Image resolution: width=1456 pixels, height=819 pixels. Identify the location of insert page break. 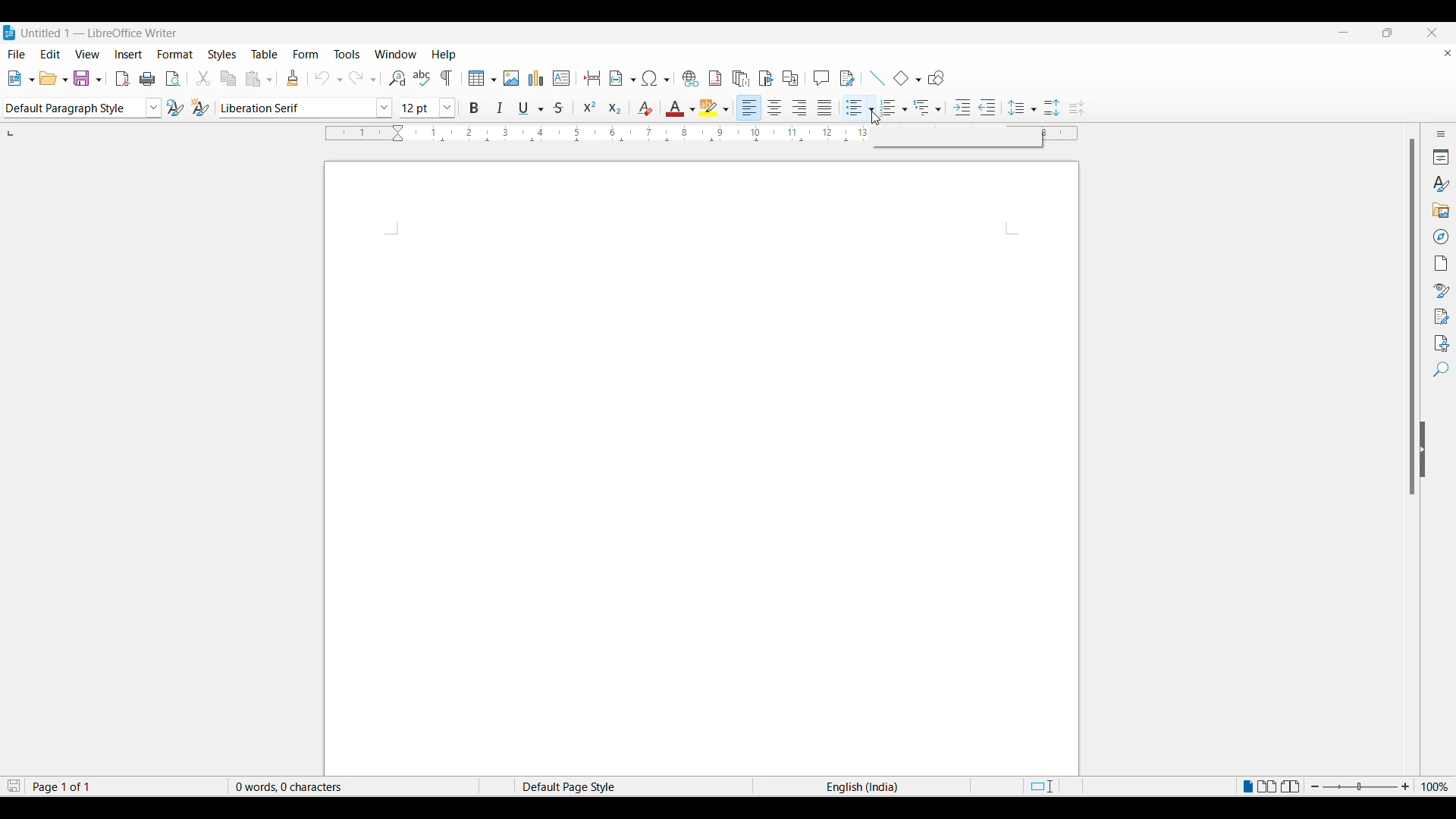
(590, 78).